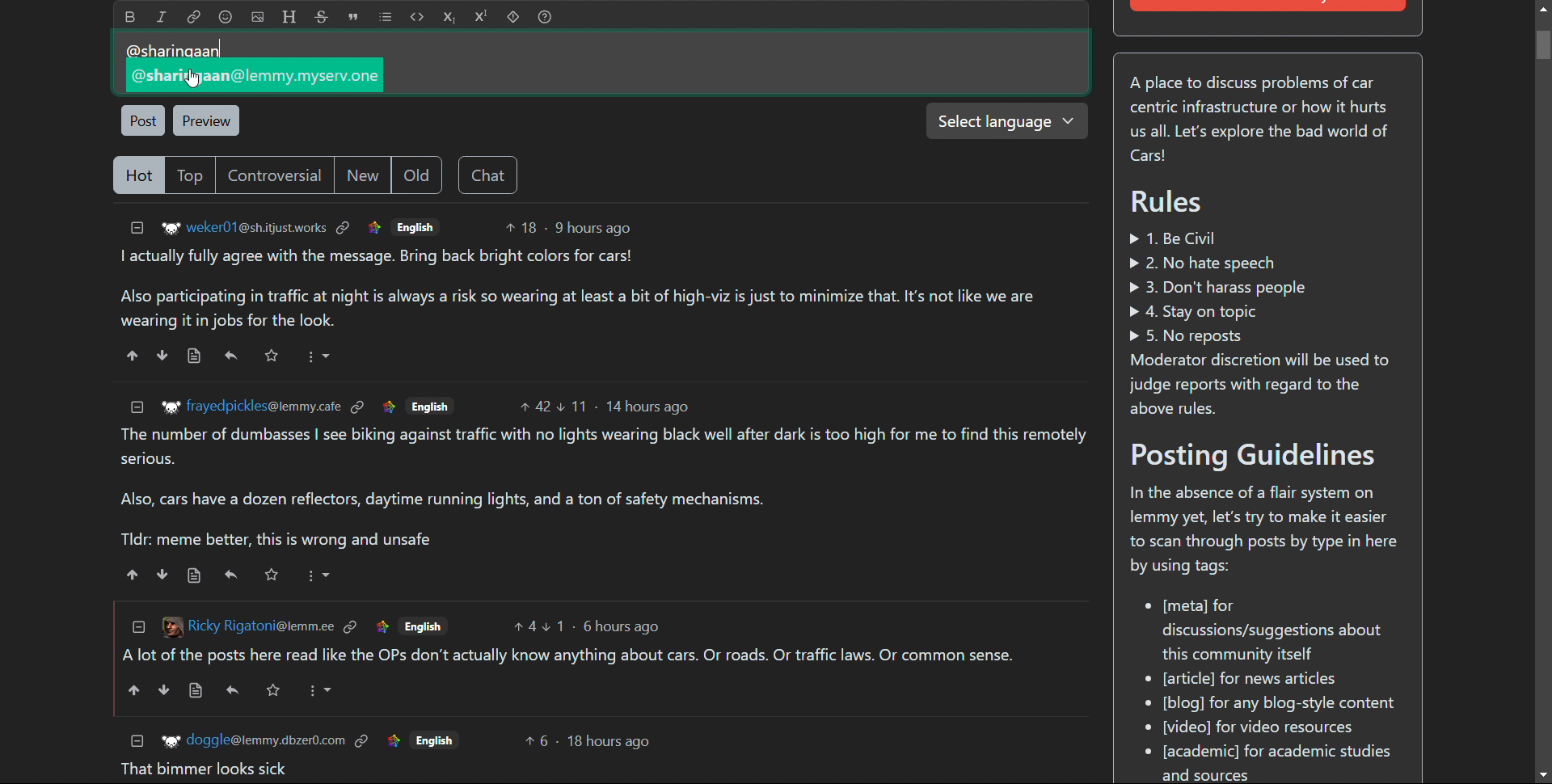 The image size is (1552, 784). Describe the element at coordinates (416, 17) in the screenshot. I see `code` at that location.